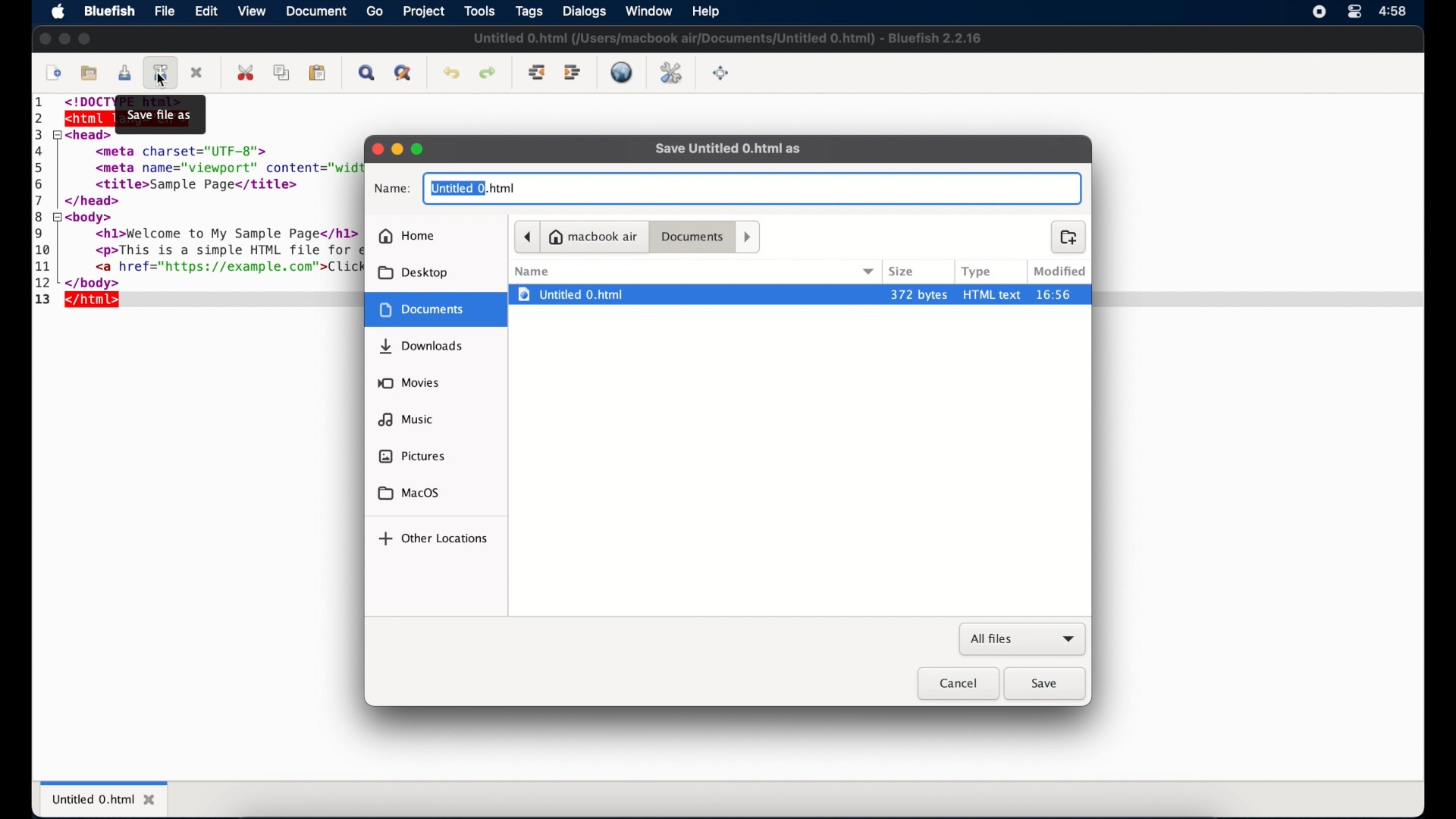 This screenshot has width=1456, height=819. Describe the element at coordinates (1057, 271) in the screenshot. I see `modified` at that location.